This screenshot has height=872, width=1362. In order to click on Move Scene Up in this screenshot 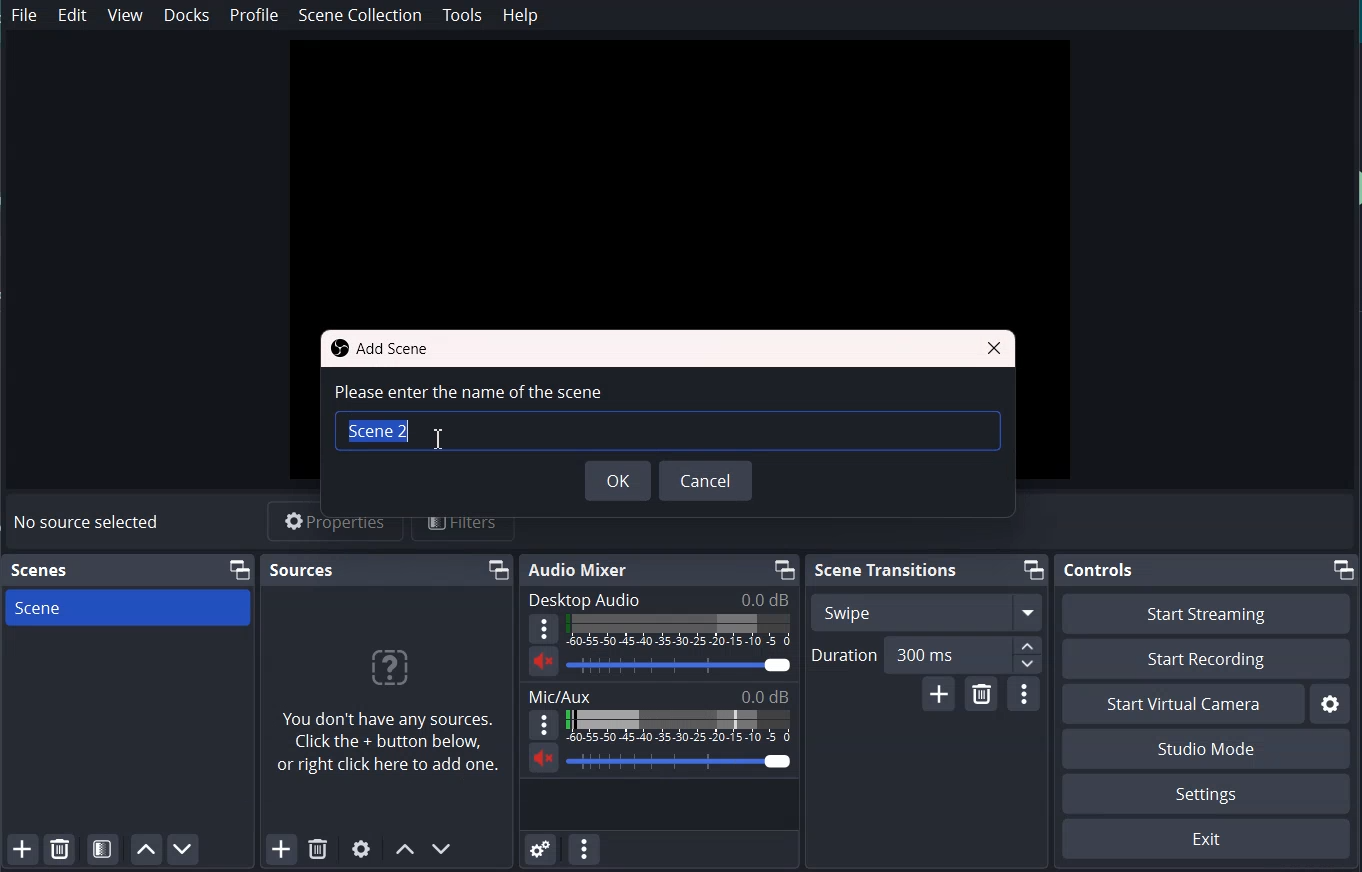, I will do `click(143, 849)`.